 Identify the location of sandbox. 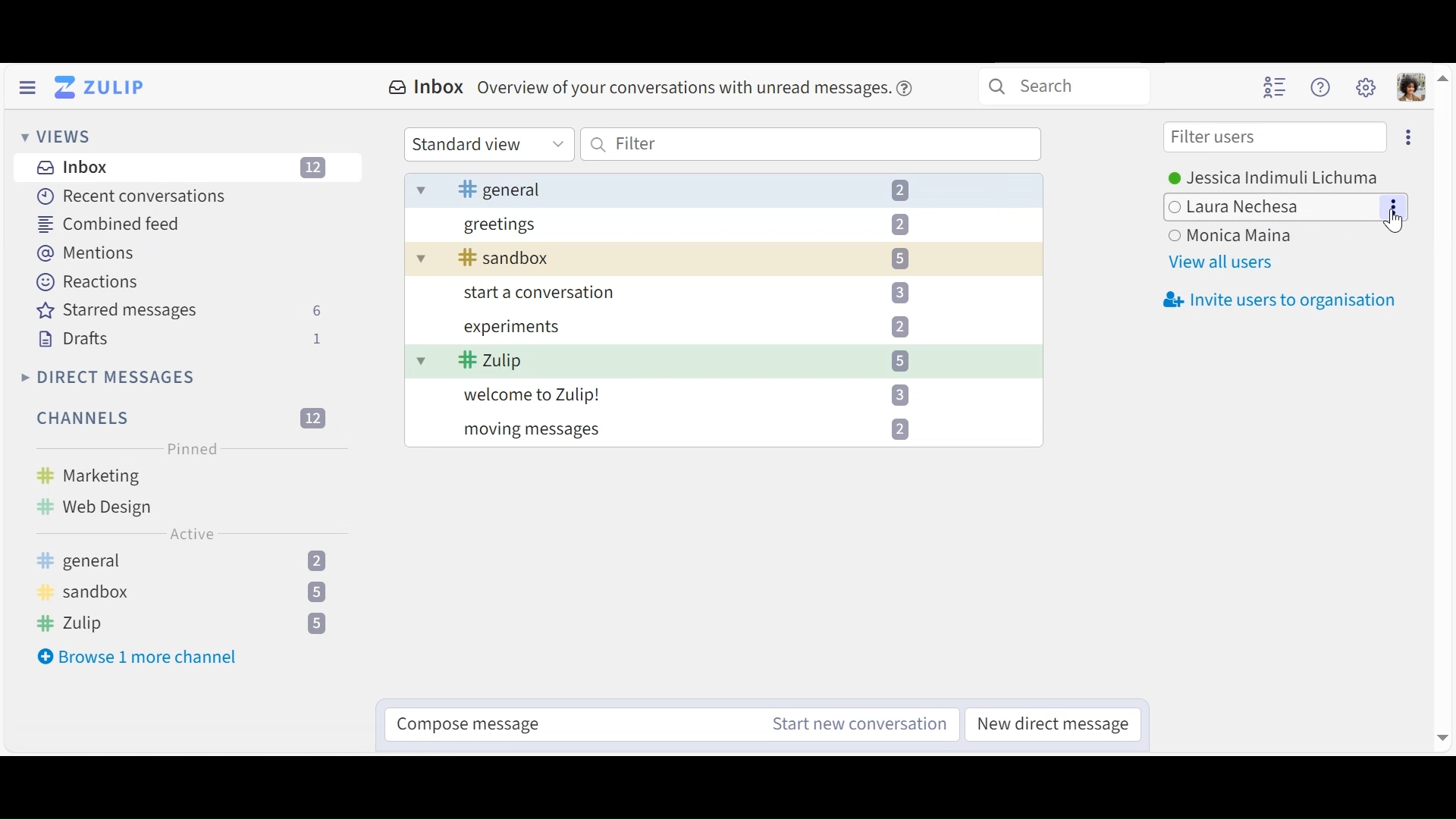
(699, 258).